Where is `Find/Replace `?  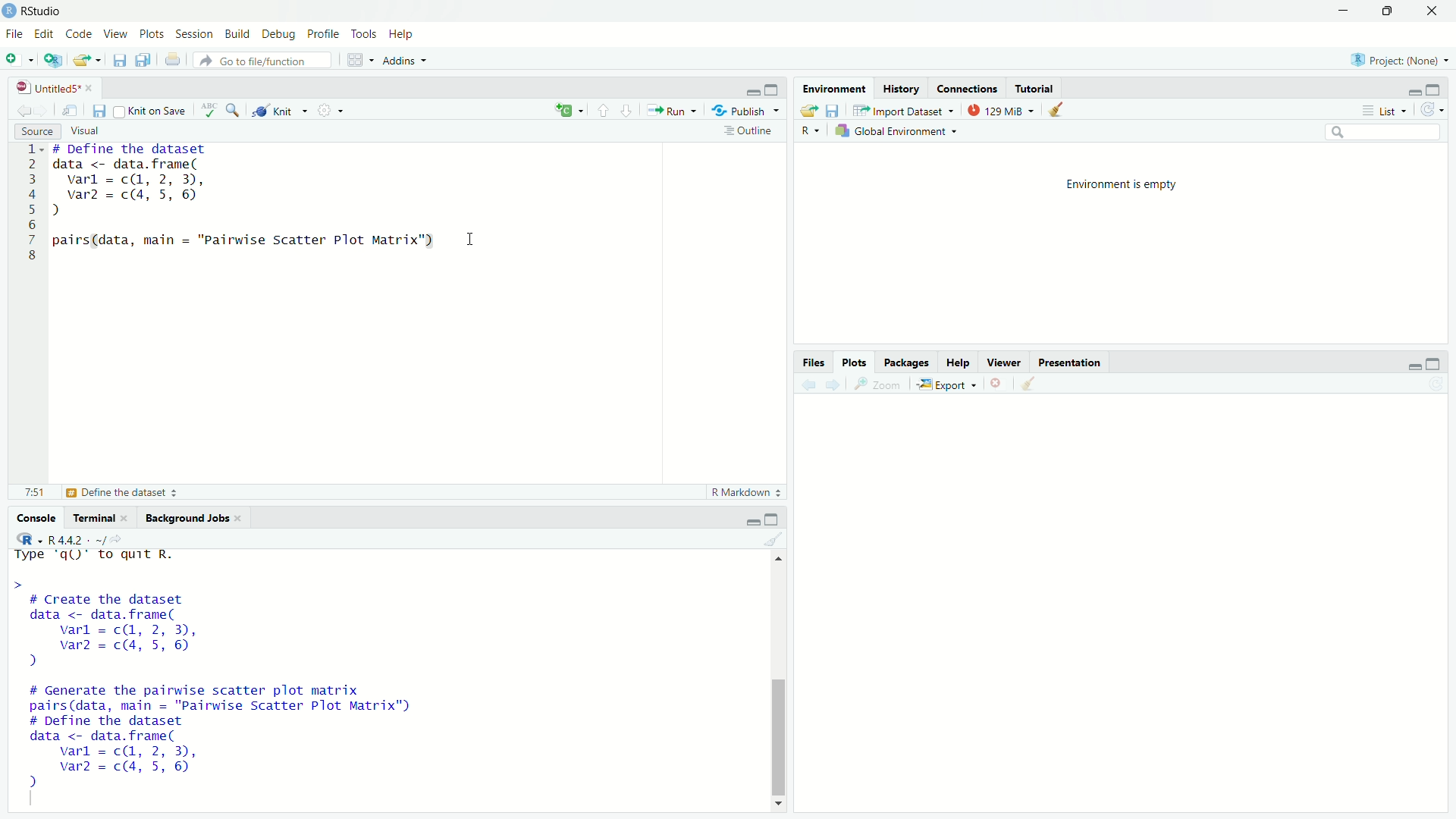 Find/Replace  is located at coordinates (233, 109).